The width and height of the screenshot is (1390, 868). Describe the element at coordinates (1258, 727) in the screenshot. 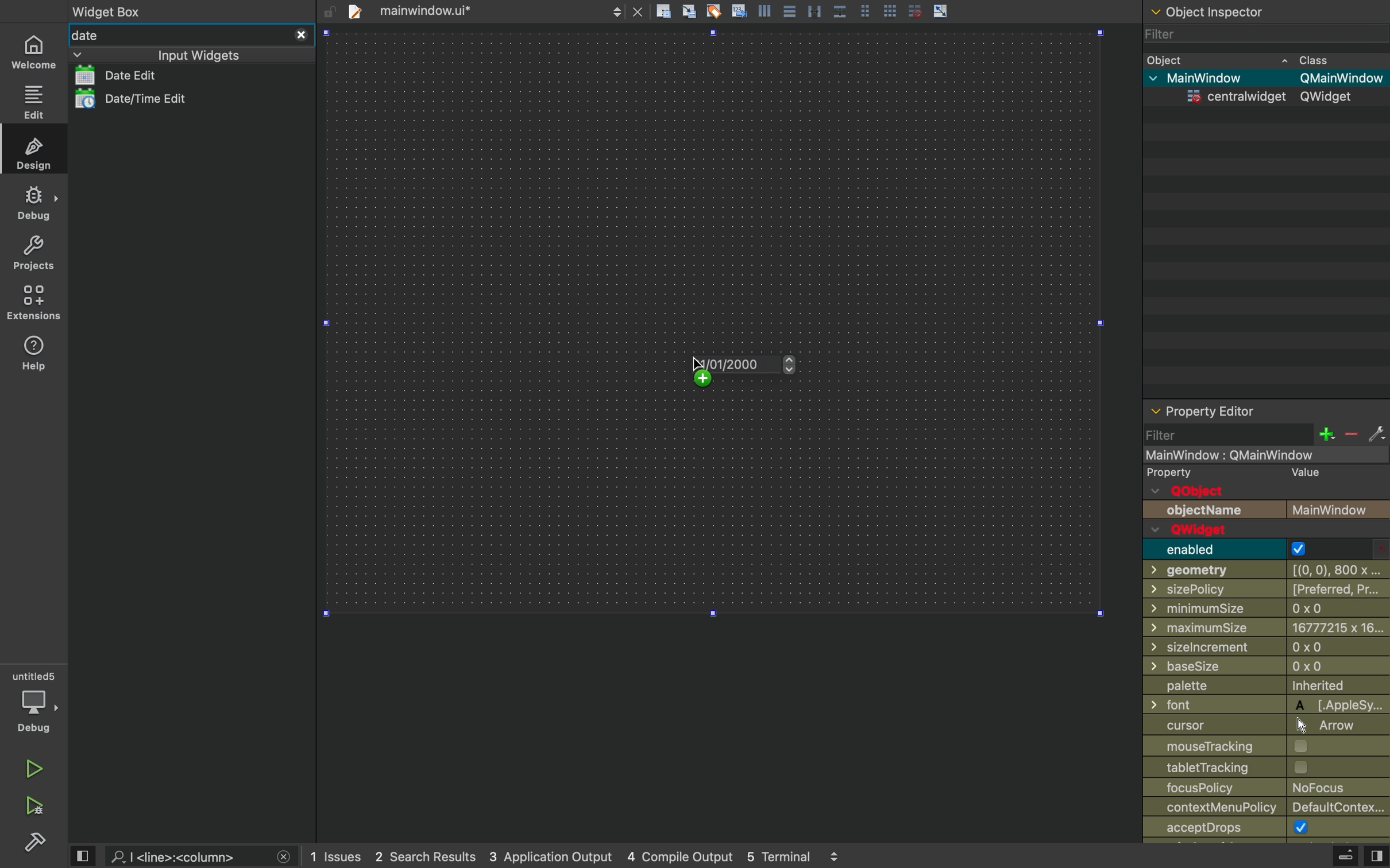

I see `cursor` at that location.